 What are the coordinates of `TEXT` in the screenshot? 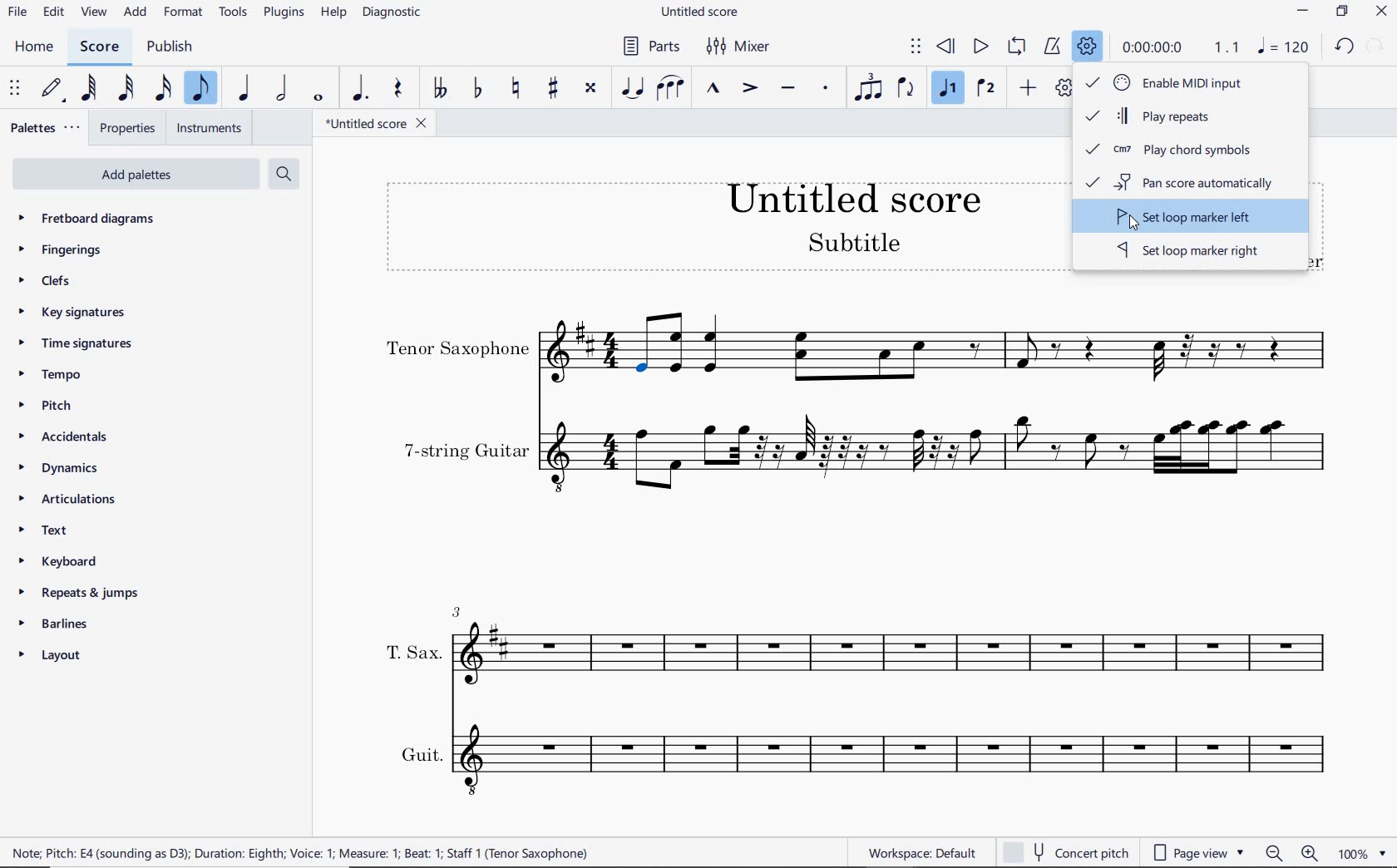 It's located at (39, 529).